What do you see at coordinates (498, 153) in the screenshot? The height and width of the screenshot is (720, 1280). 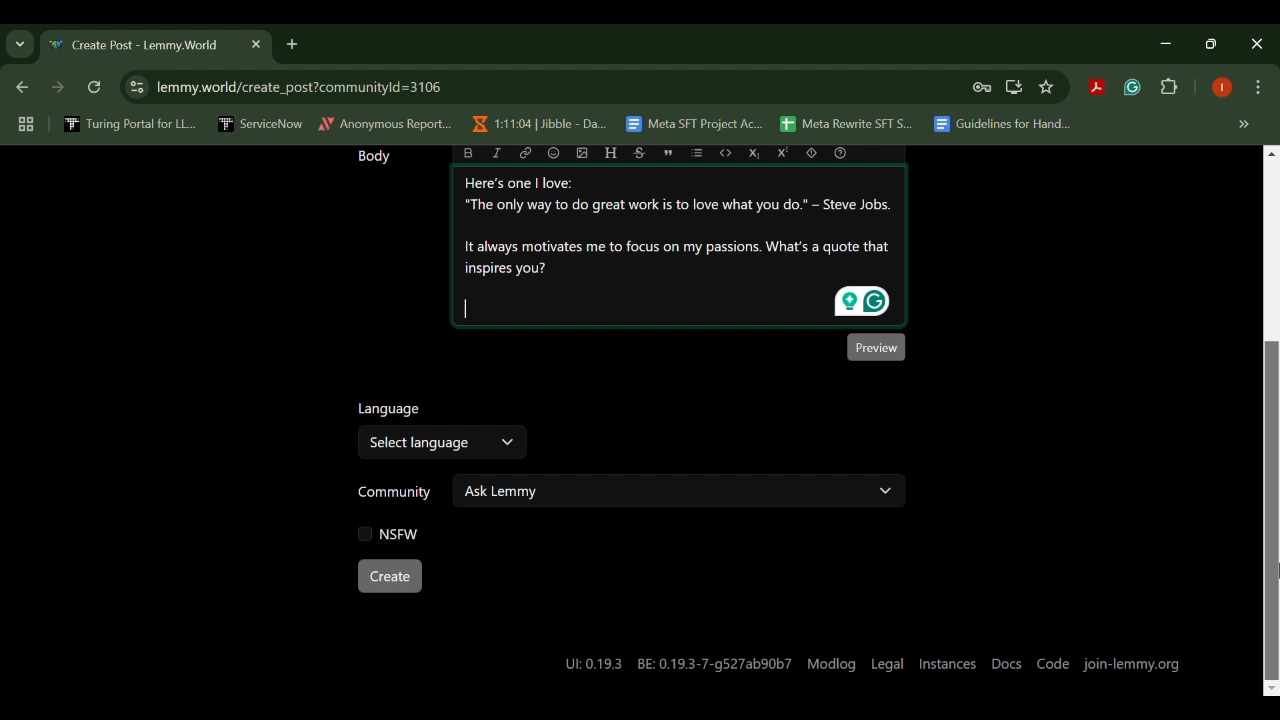 I see `italic` at bounding box center [498, 153].